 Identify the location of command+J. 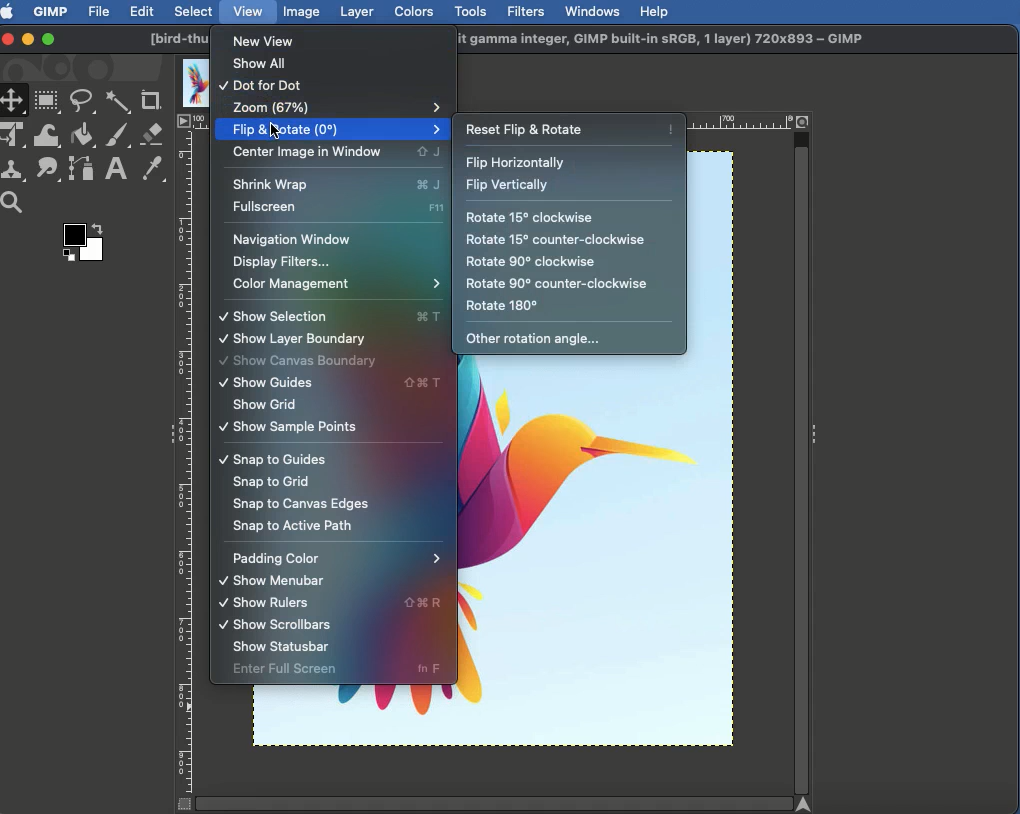
(434, 185).